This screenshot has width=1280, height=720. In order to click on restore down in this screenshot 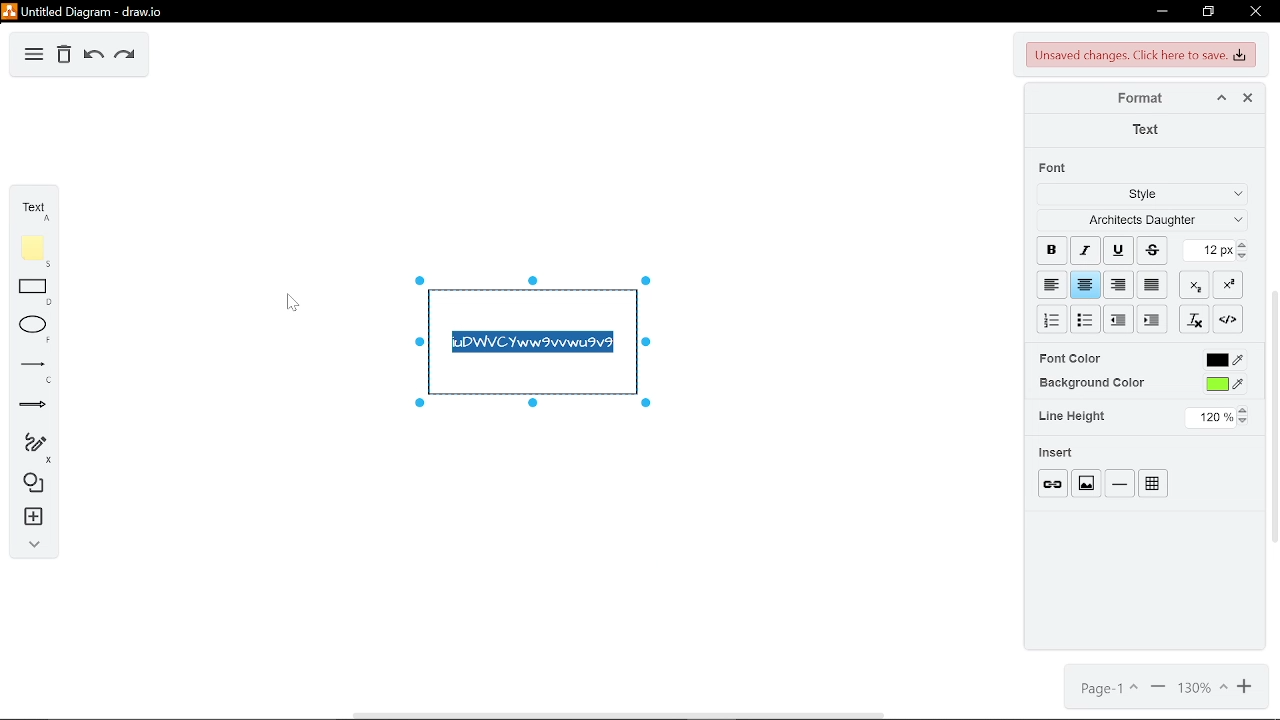, I will do `click(1208, 13)`.